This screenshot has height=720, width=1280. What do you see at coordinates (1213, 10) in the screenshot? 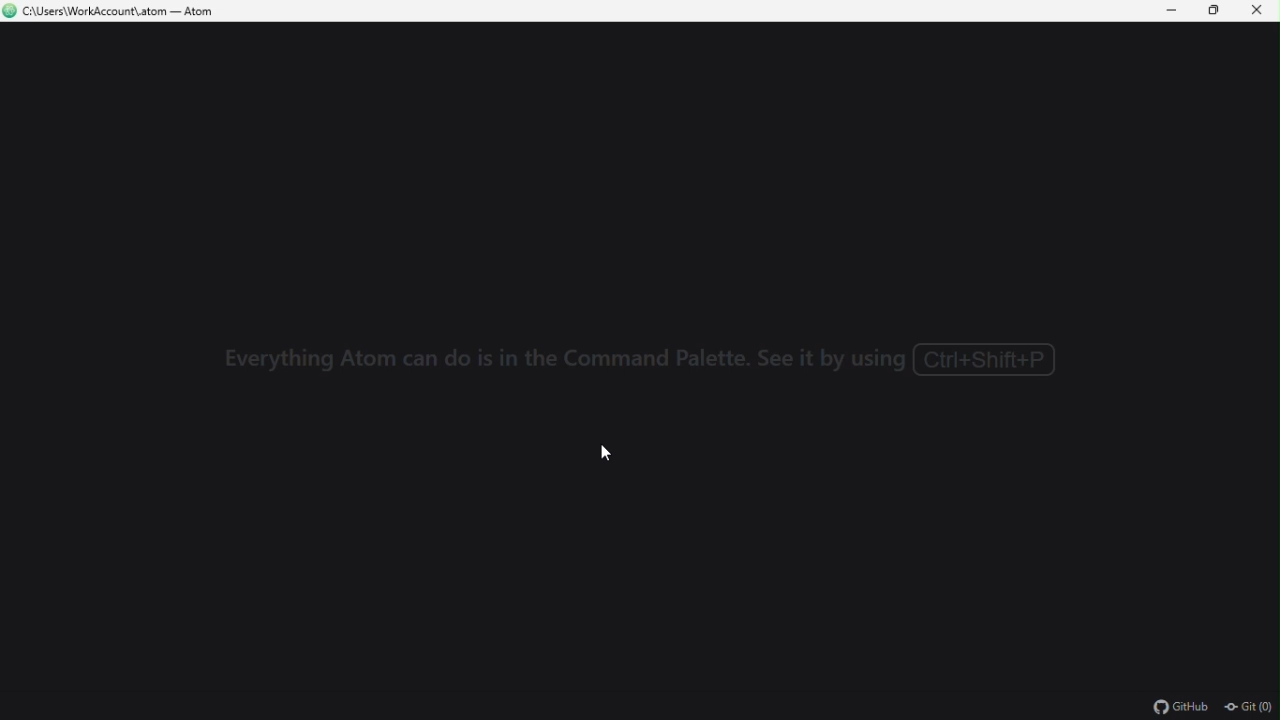
I see `Restore` at bounding box center [1213, 10].